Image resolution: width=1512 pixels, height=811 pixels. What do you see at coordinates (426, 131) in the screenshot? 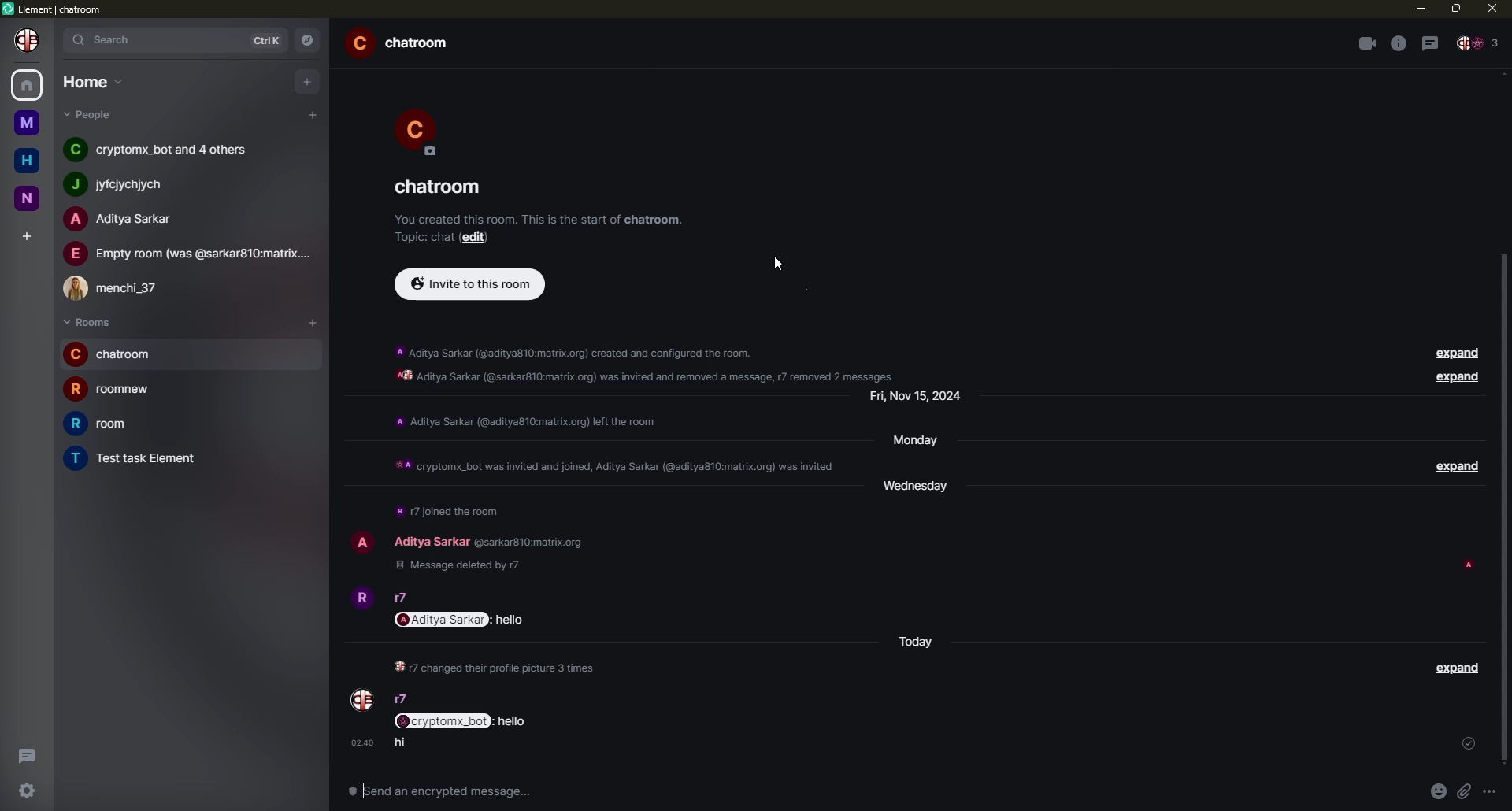
I see `profile` at bounding box center [426, 131].